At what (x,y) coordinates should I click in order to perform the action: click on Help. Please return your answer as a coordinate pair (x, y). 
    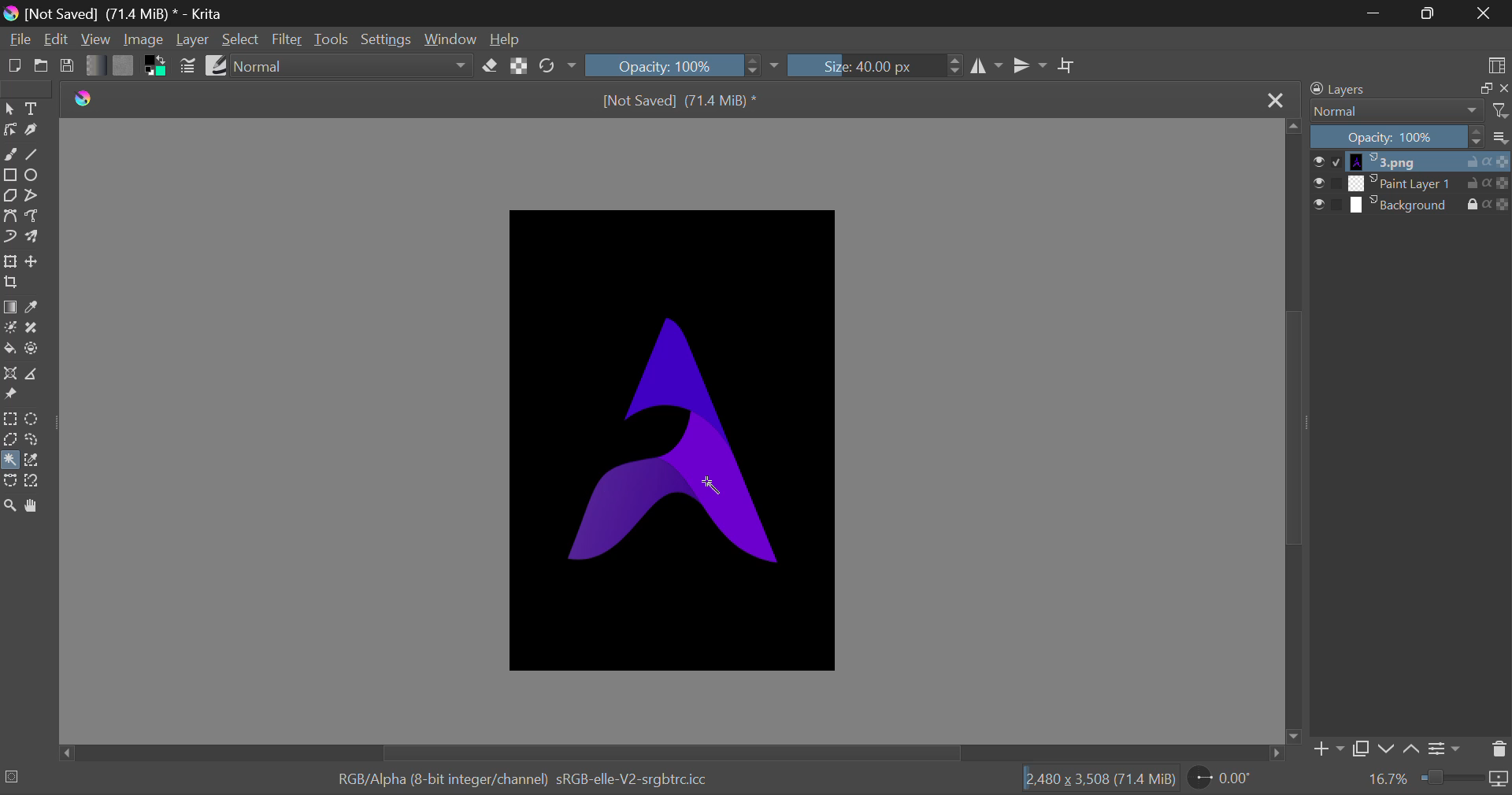
    Looking at the image, I should click on (504, 39).